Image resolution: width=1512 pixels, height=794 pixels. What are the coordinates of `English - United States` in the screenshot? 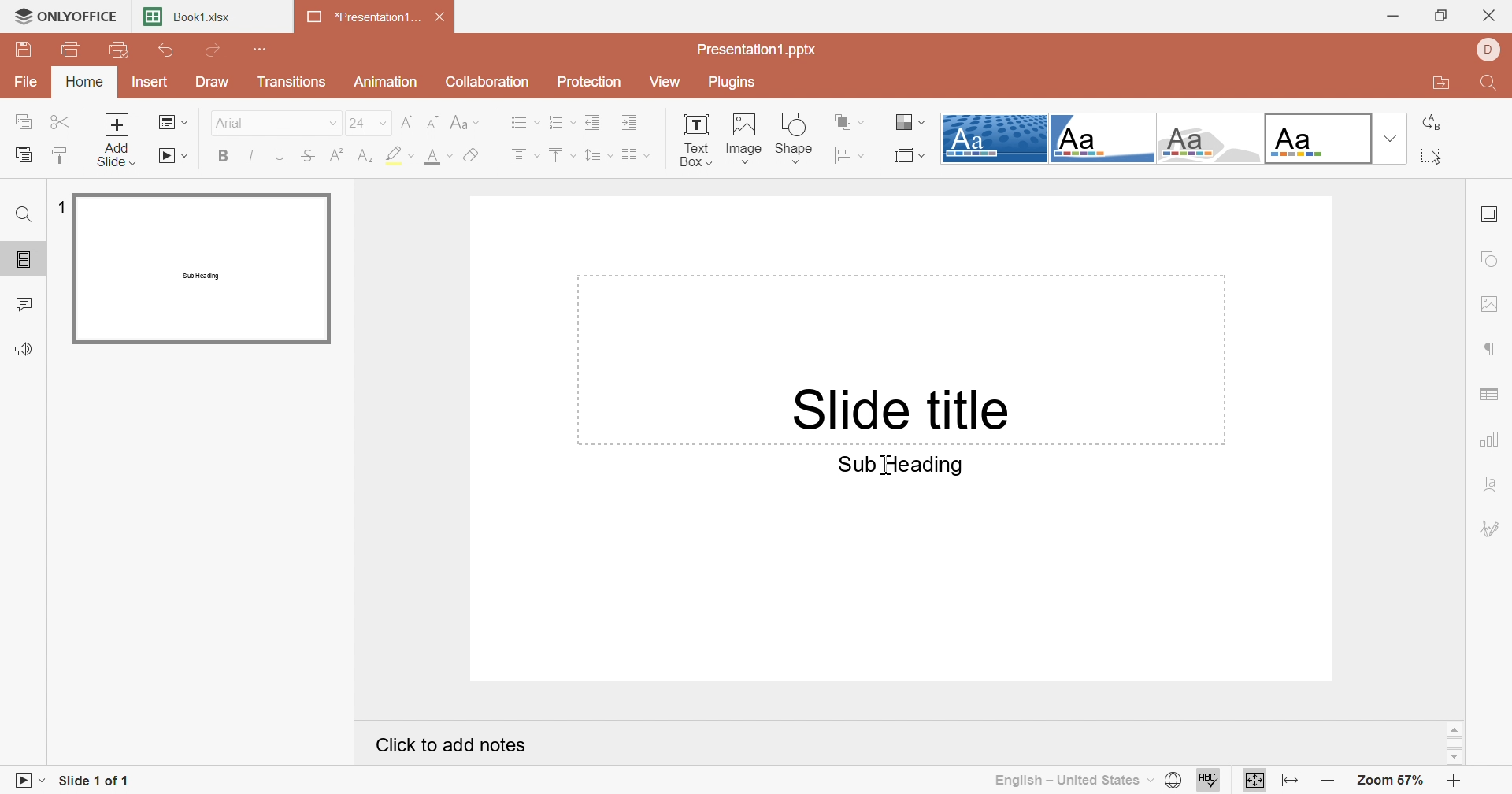 It's located at (1073, 779).